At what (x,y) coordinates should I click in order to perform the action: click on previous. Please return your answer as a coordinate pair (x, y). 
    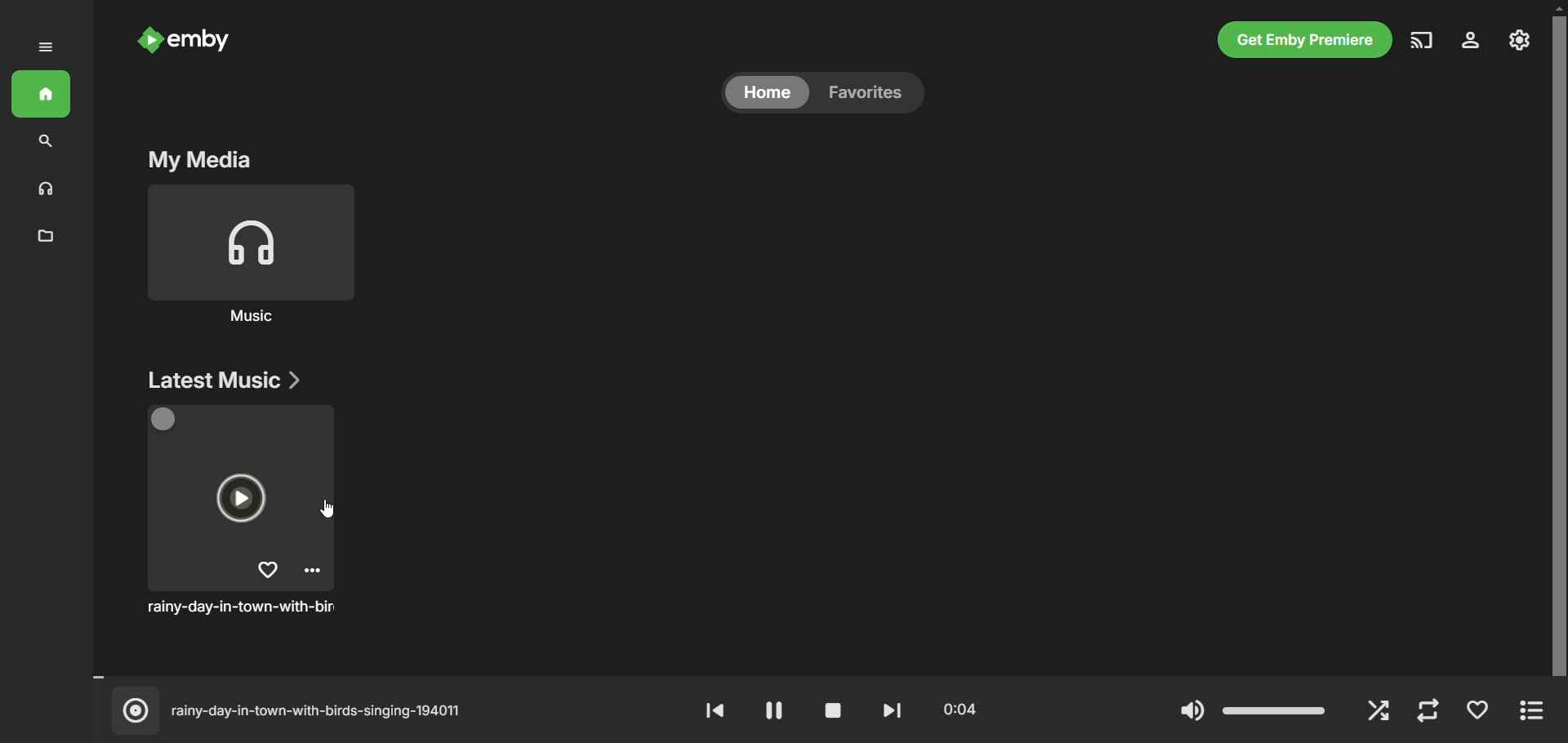
    Looking at the image, I should click on (710, 710).